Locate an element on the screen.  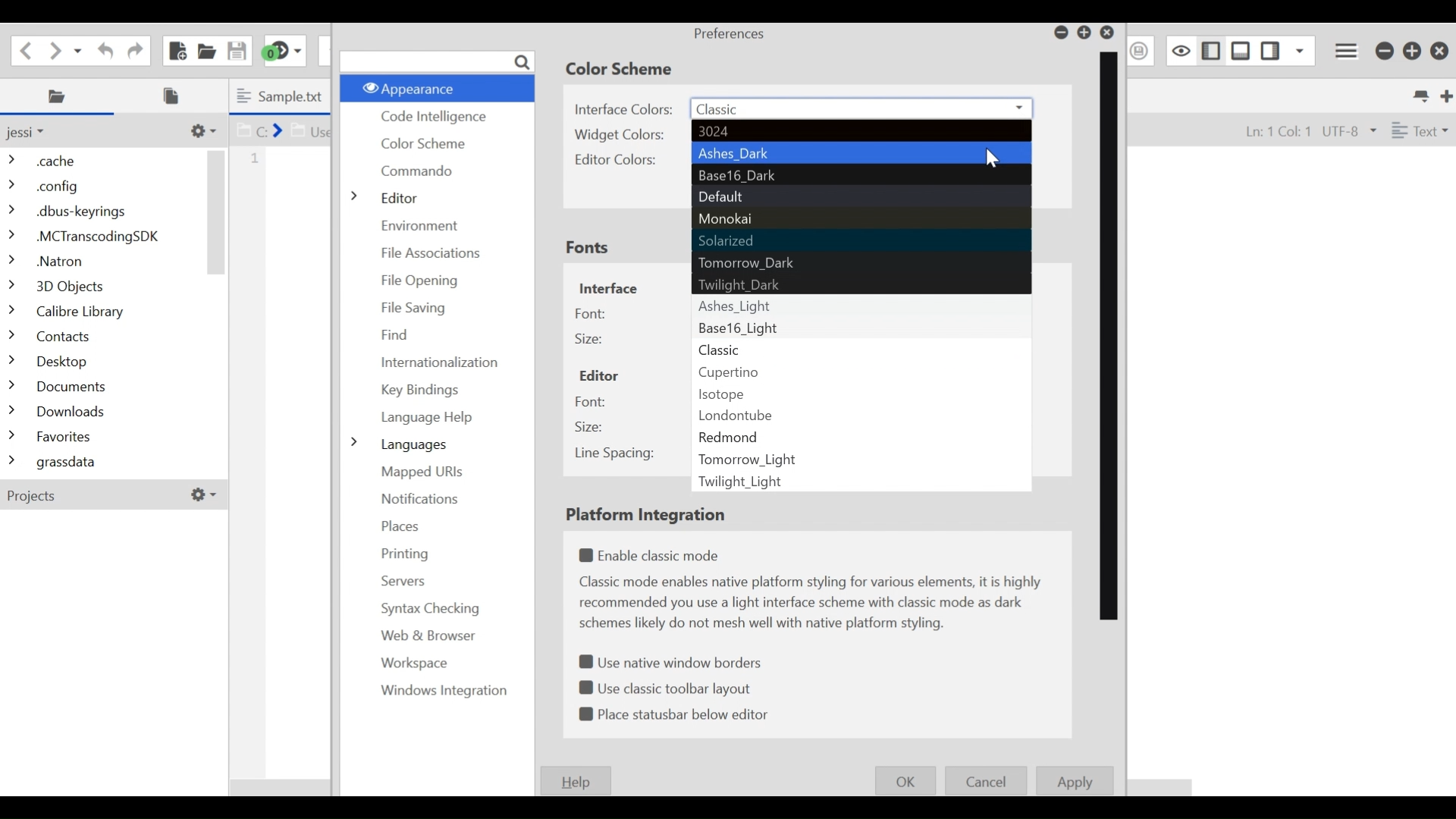
(un)select Use Classic toolbar layout is located at coordinates (668, 686).